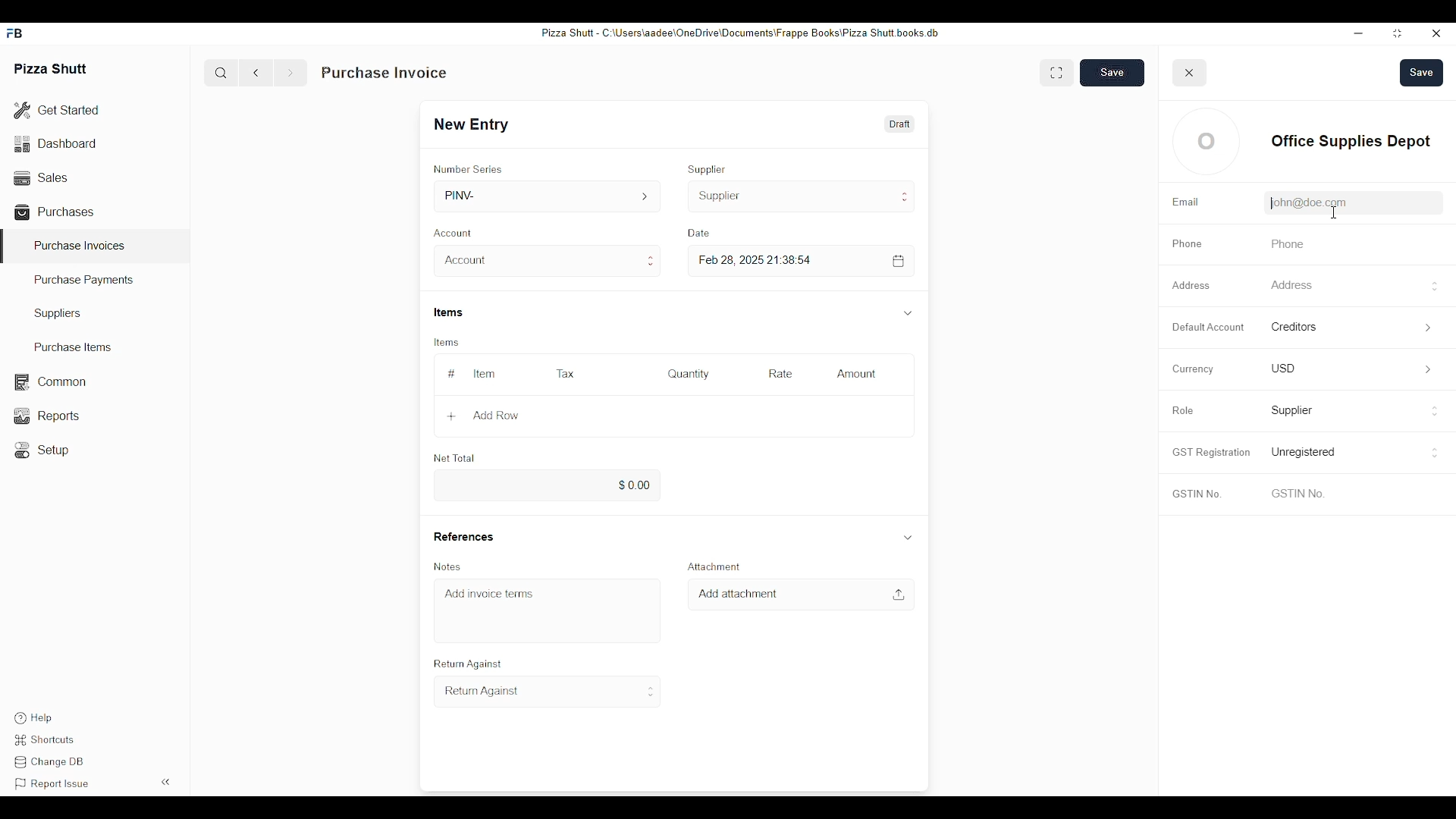 The image size is (1456, 819). Describe the element at coordinates (898, 595) in the screenshot. I see `upload` at that location.